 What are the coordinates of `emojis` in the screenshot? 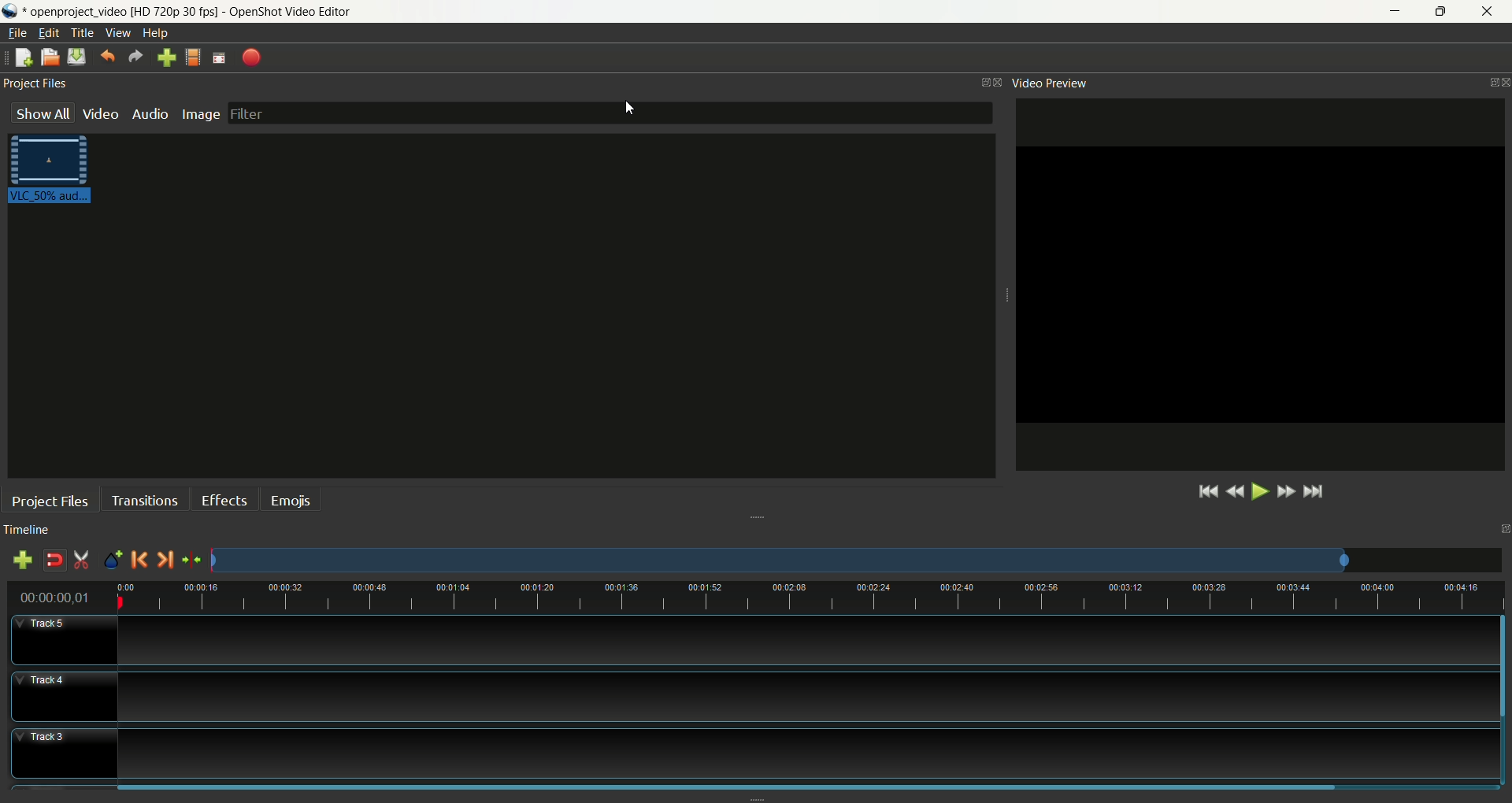 It's located at (291, 498).